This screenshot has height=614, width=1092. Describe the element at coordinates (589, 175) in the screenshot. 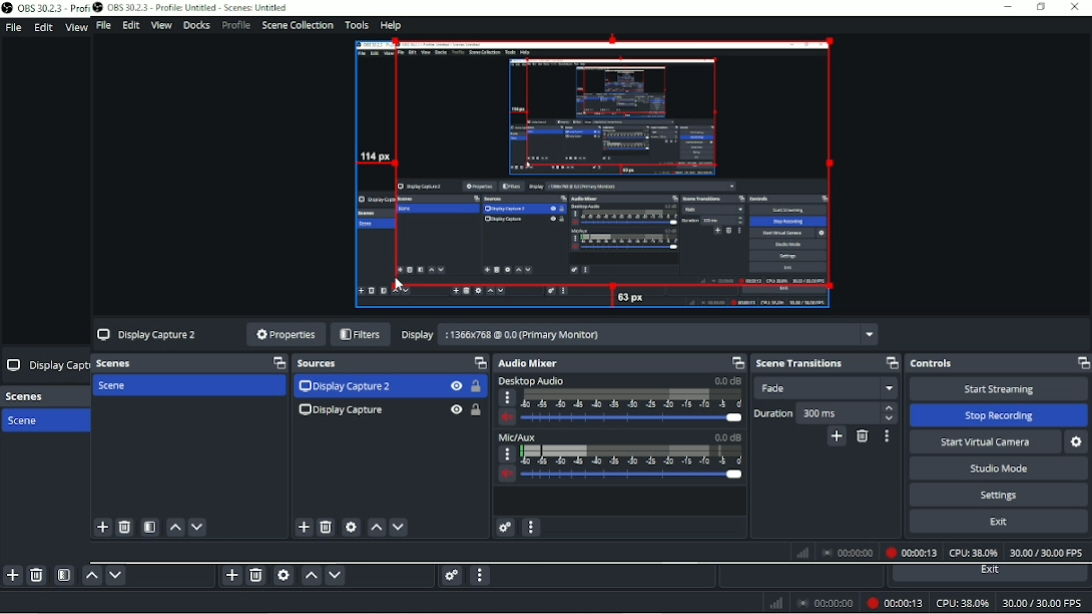

I see `Video` at that location.